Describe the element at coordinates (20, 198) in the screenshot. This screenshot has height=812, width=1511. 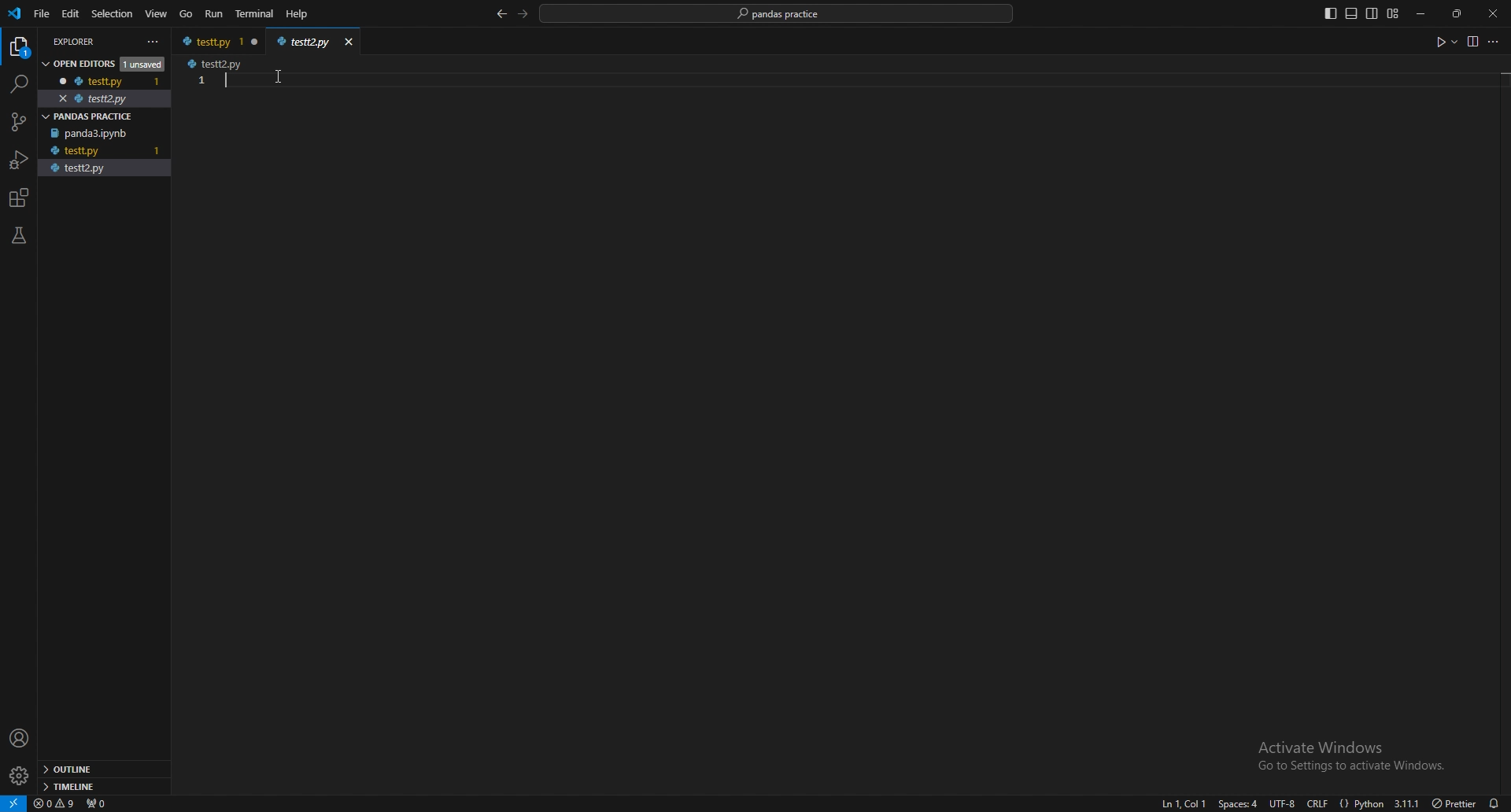
I see `extensions` at that location.